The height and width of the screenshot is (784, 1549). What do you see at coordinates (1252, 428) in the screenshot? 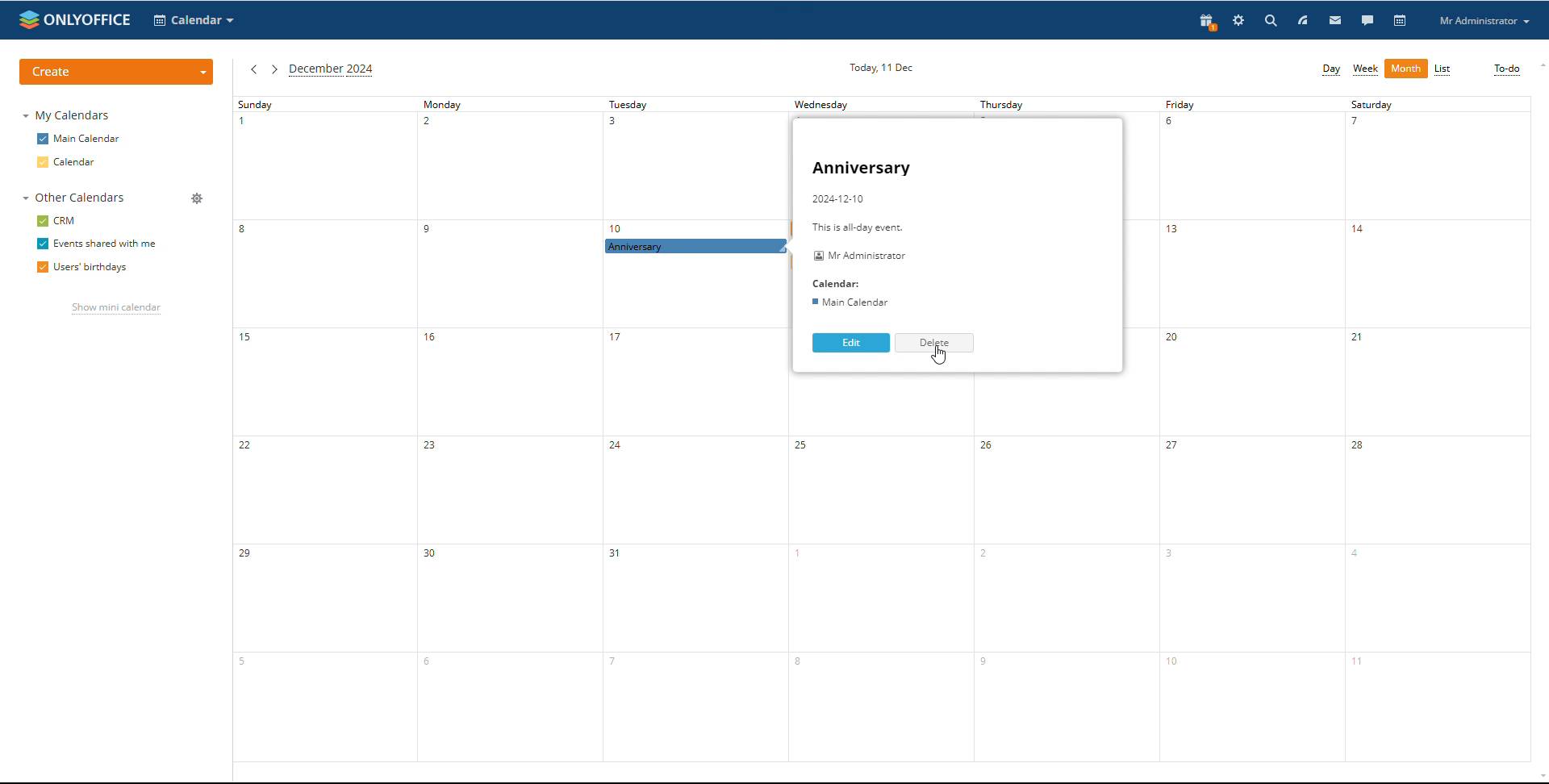
I see `friday` at bounding box center [1252, 428].